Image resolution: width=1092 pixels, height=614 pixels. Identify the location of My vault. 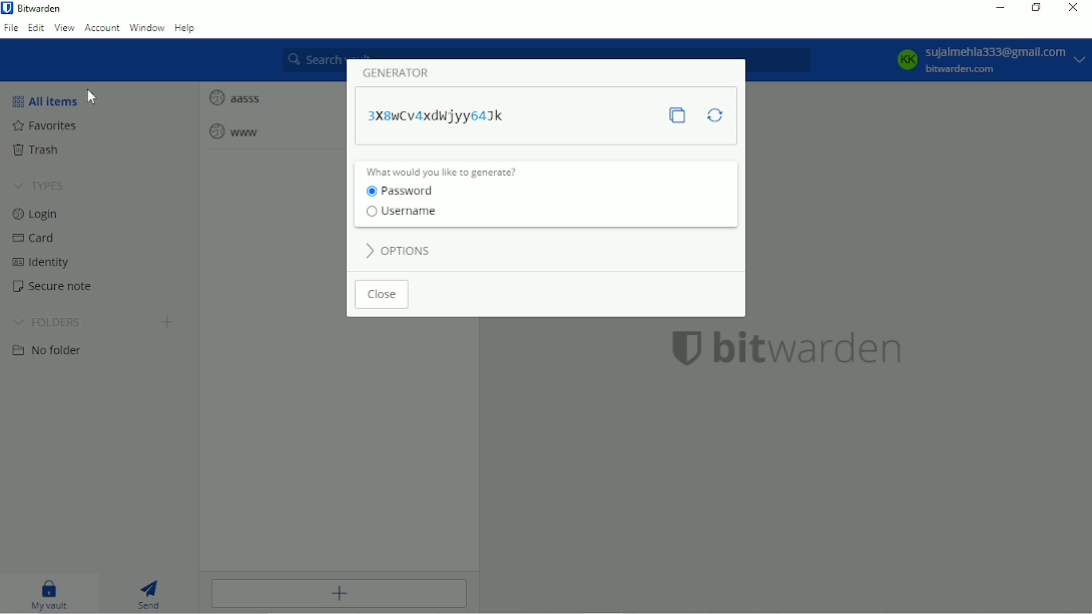
(54, 593).